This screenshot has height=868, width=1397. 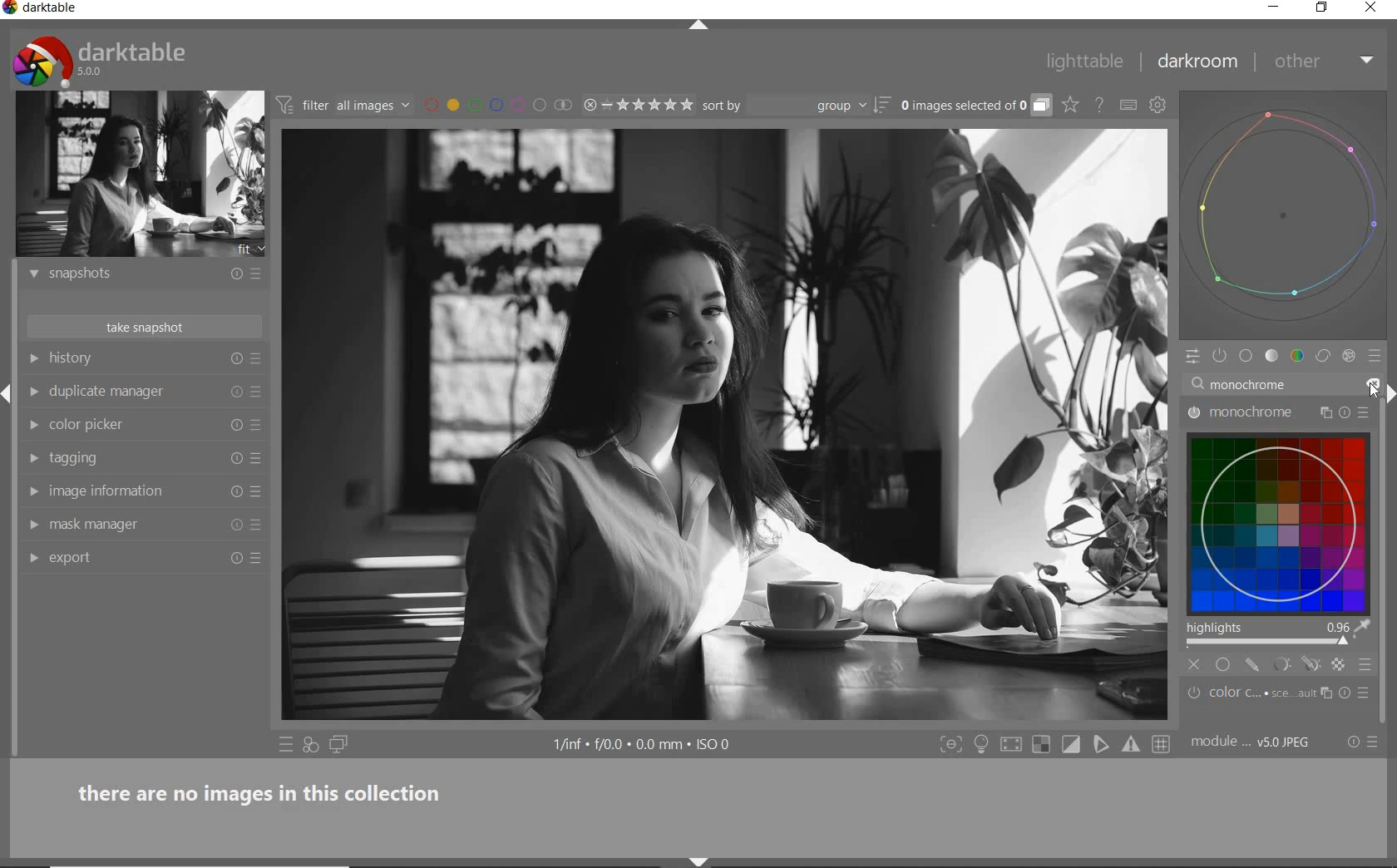 What do you see at coordinates (131, 458) in the screenshot?
I see `tagging` at bounding box center [131, 458].